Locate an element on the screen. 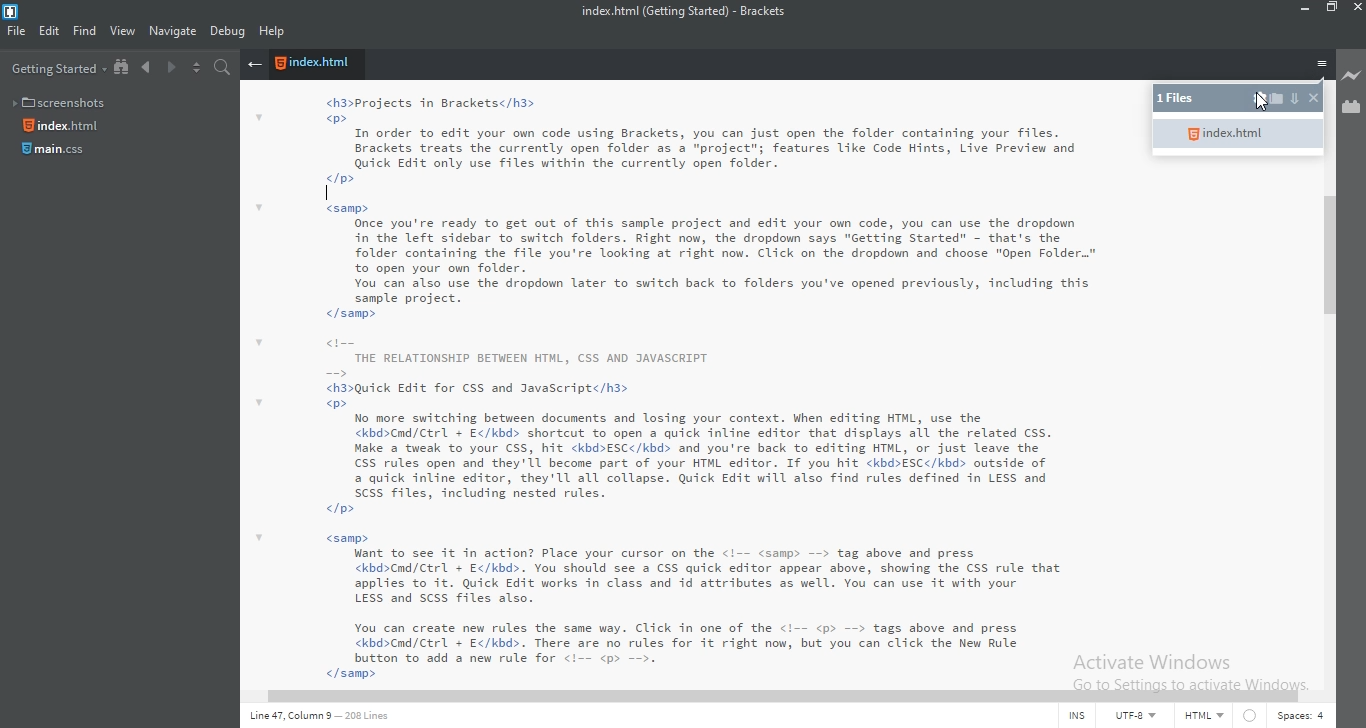 This screenshot has width=1366, height=728. View is located at coordinates (123, 32).